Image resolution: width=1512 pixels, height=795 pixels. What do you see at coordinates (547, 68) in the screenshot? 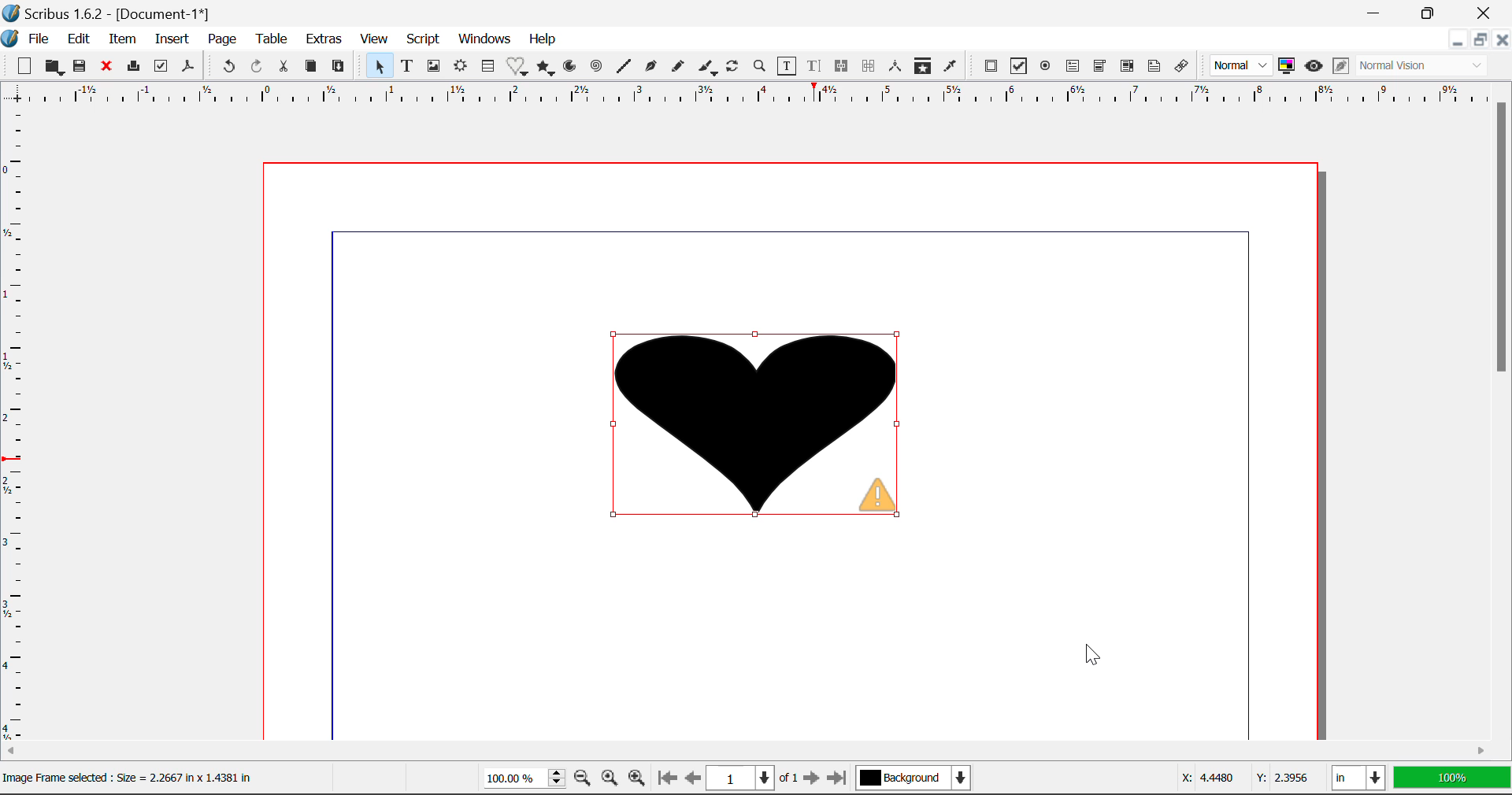
I see `Polygons` at bounding box center [547, 68].